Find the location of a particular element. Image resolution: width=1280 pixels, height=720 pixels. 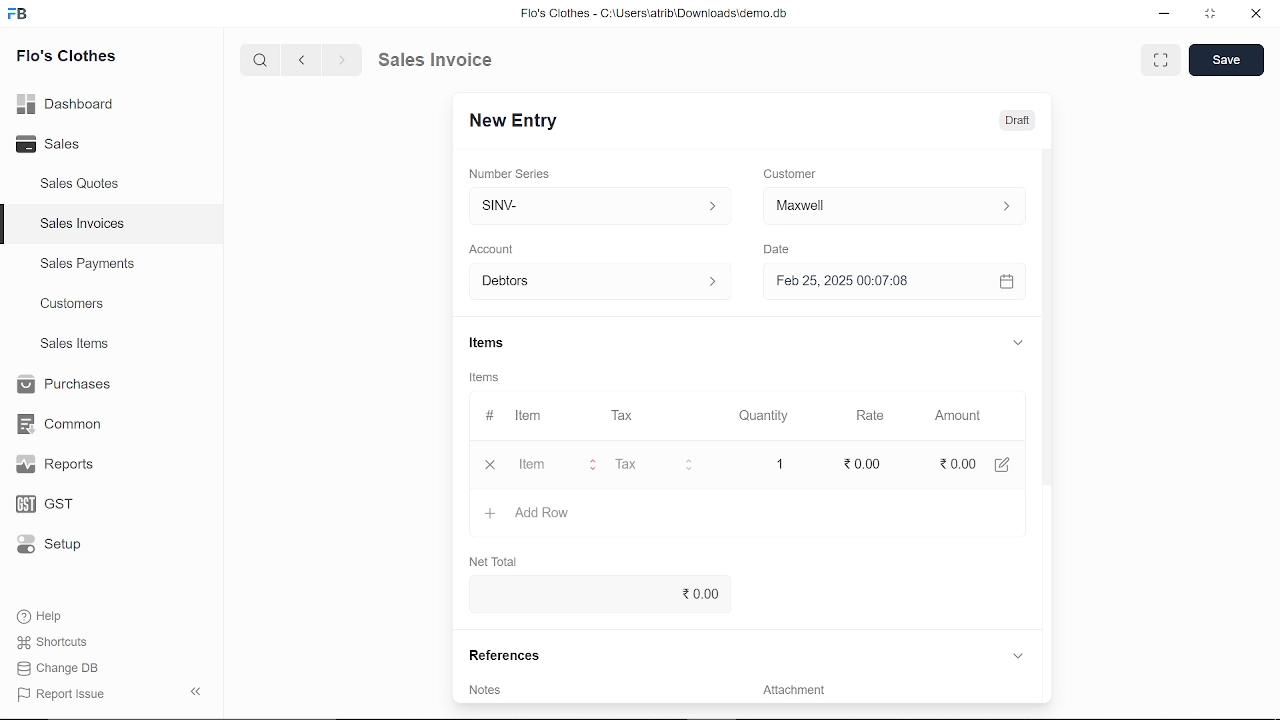

‘Account is located at coordinates (491, 248).